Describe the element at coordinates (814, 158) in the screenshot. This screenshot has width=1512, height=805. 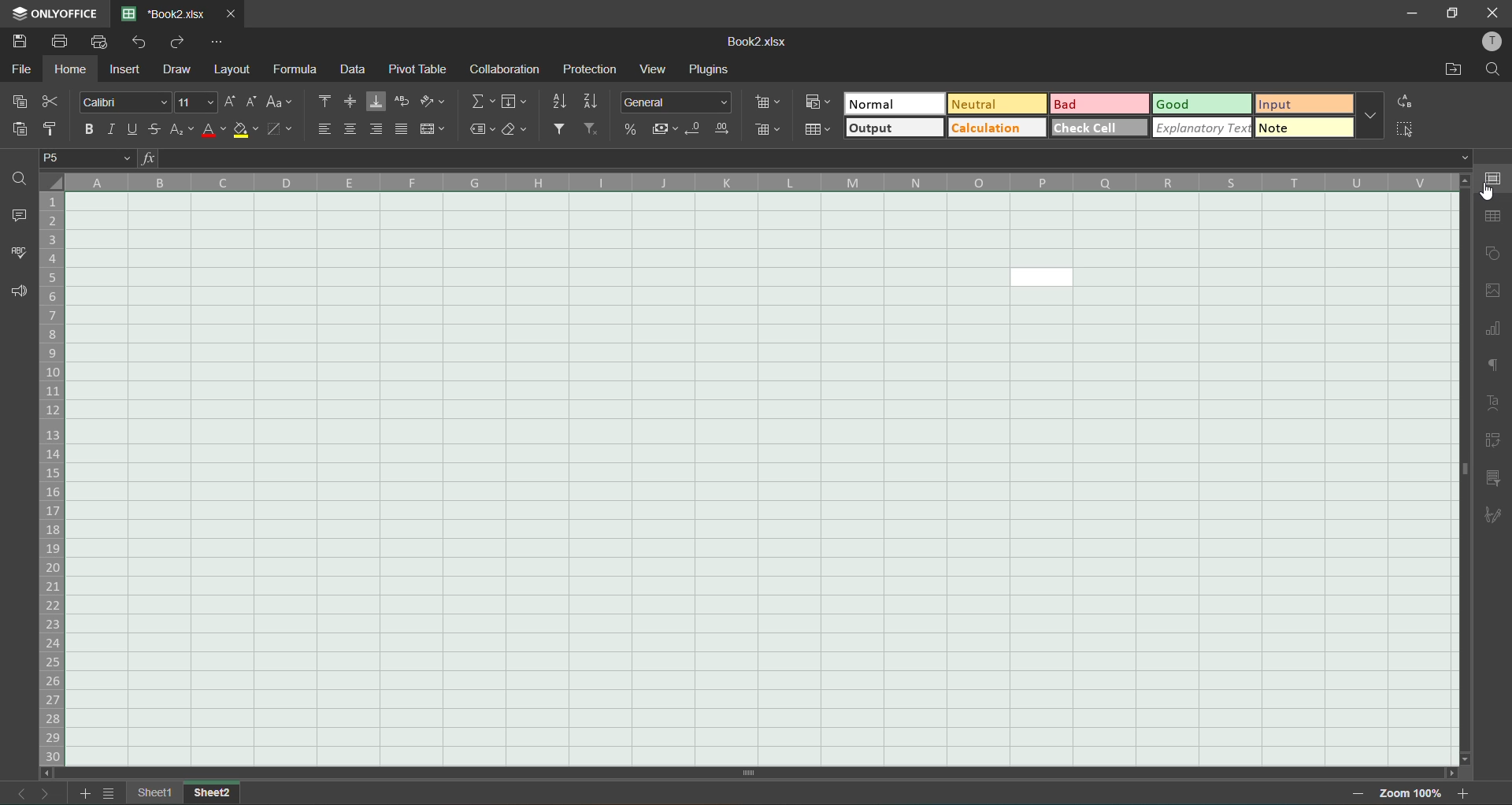
I see `formula bar` at that location.